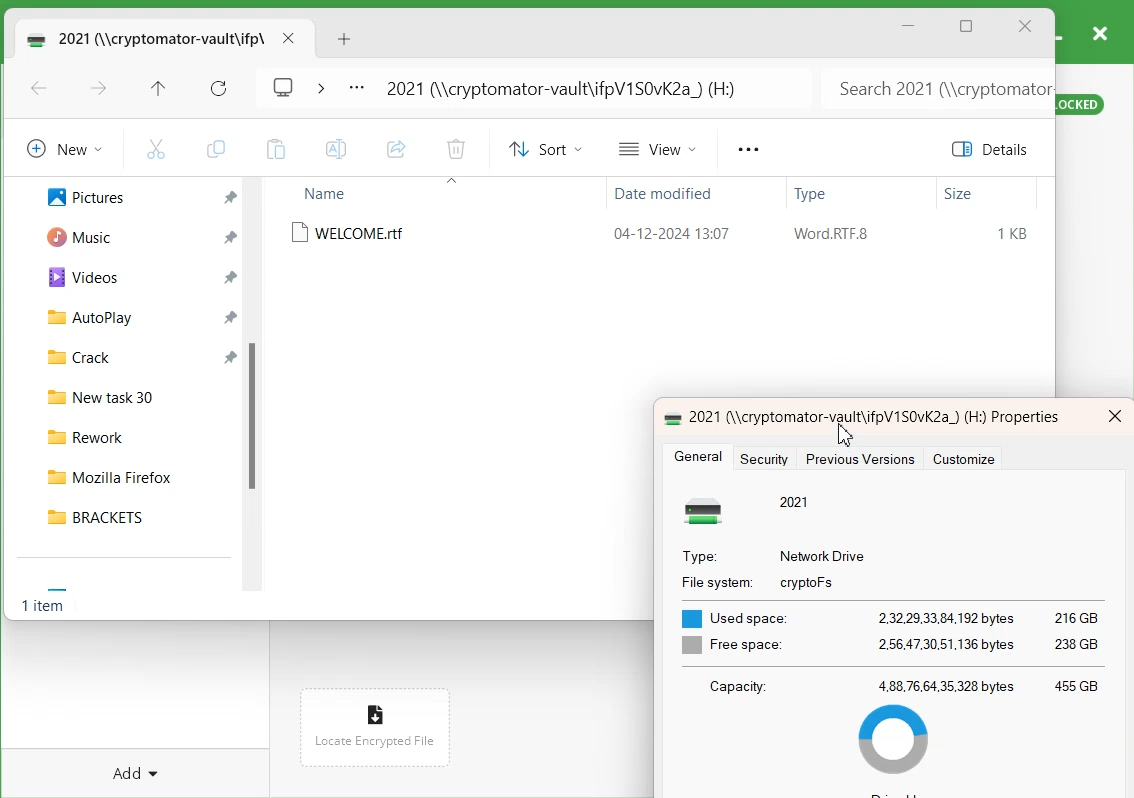  Describe the element at coordinates (288, 38) in the screenshot. I see `close` at that location.